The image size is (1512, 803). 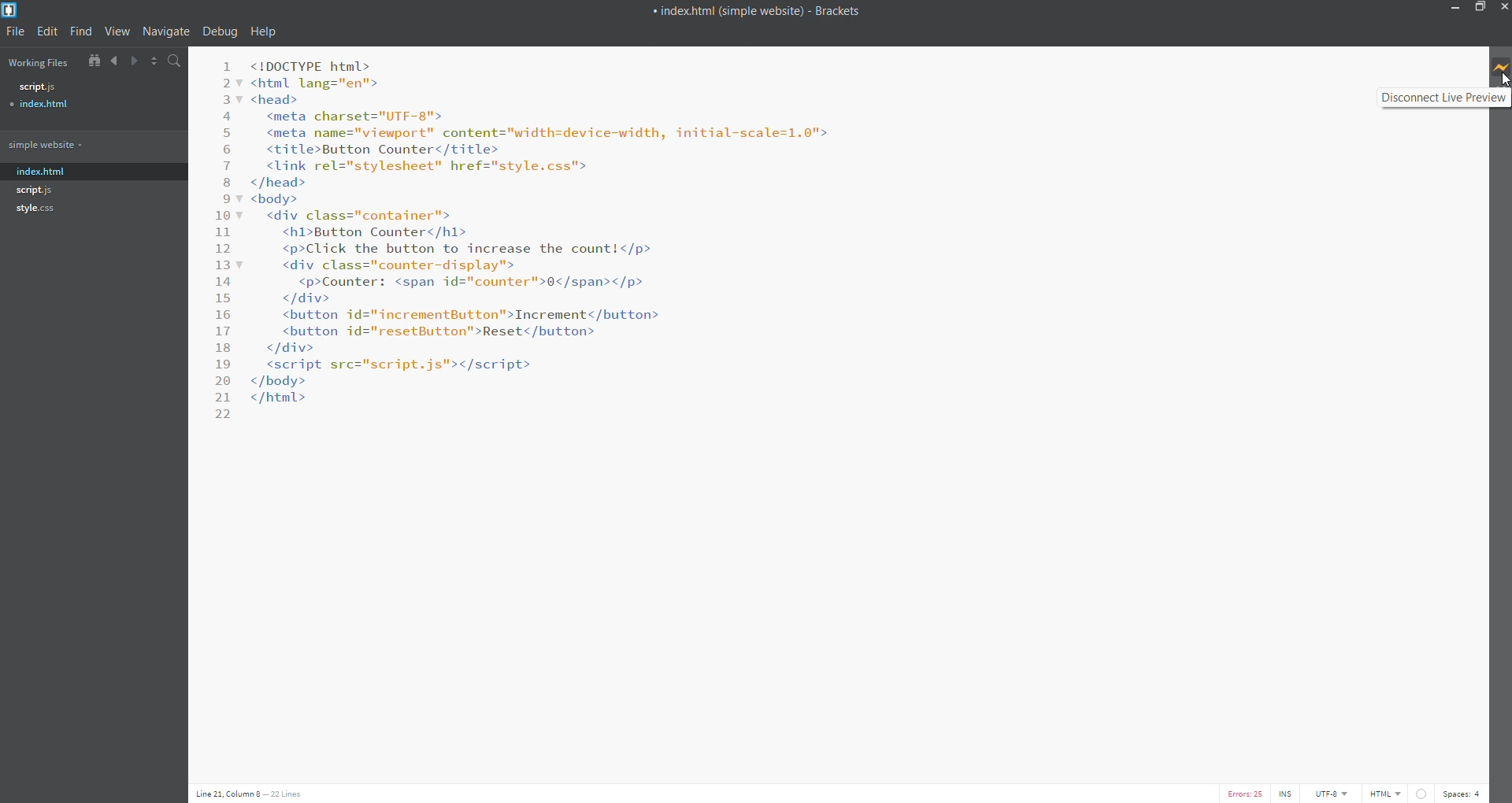 I want to click on cursor, so click(x=1502, y=83).